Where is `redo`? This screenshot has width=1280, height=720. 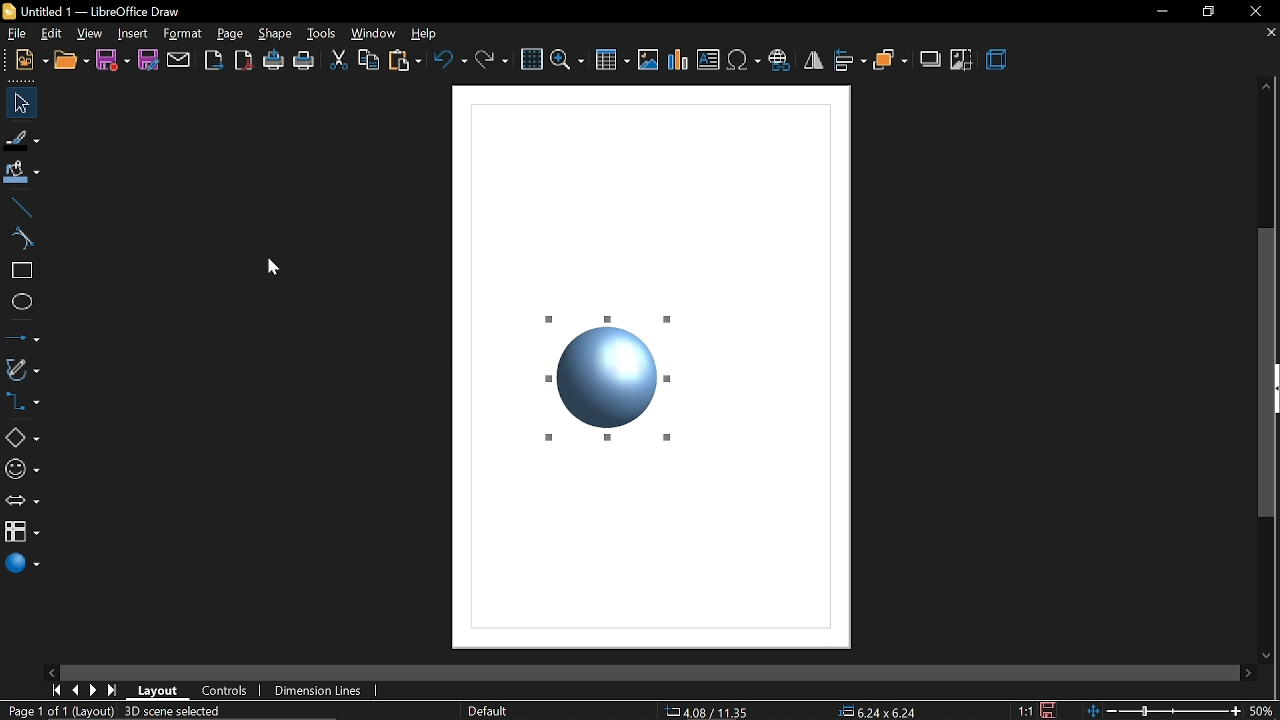 redo is located at coordinates (491, 59).